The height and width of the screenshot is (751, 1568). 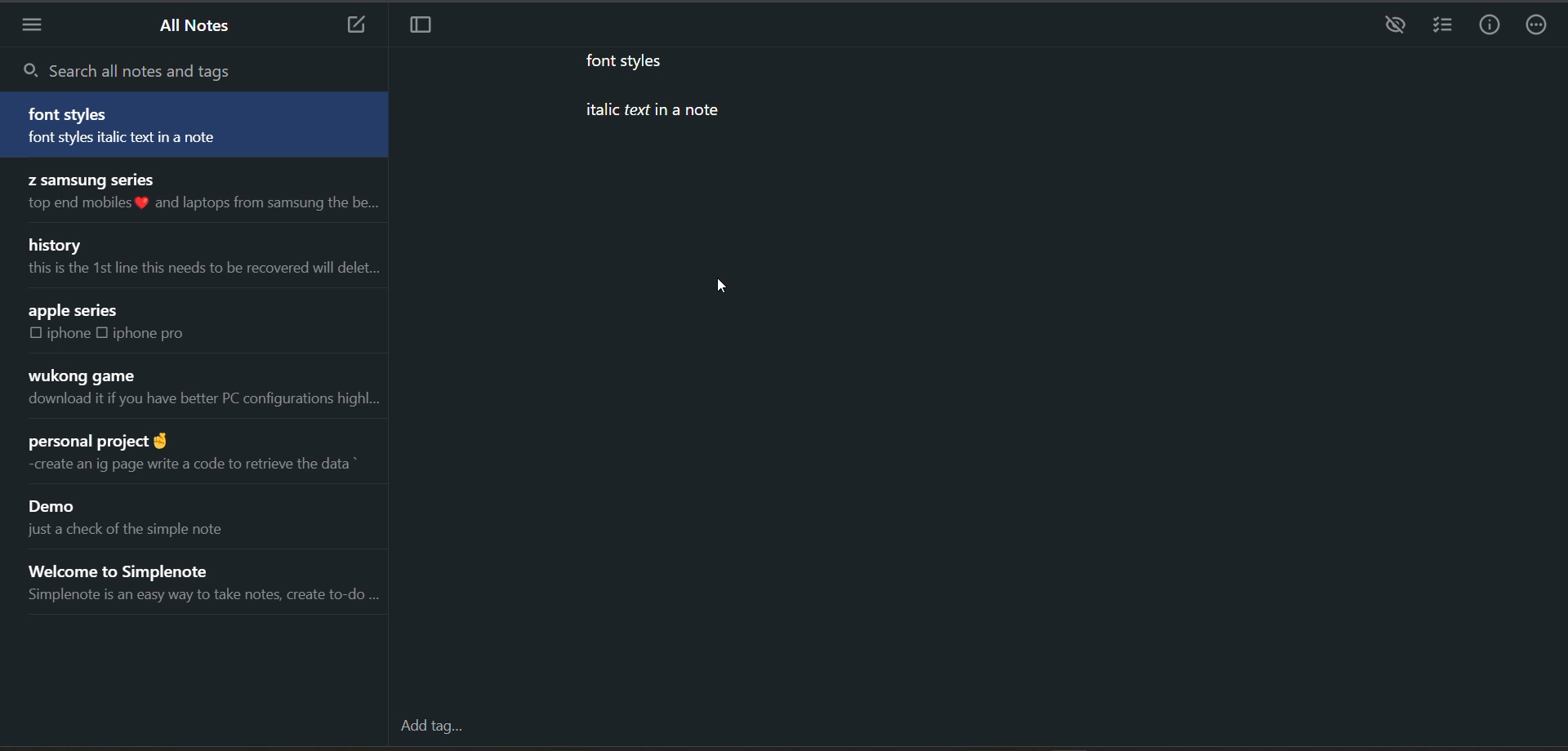 What do you see at coordinates (152, 68) in the screenshot?
I see `search` at bounding box center [152, 68].